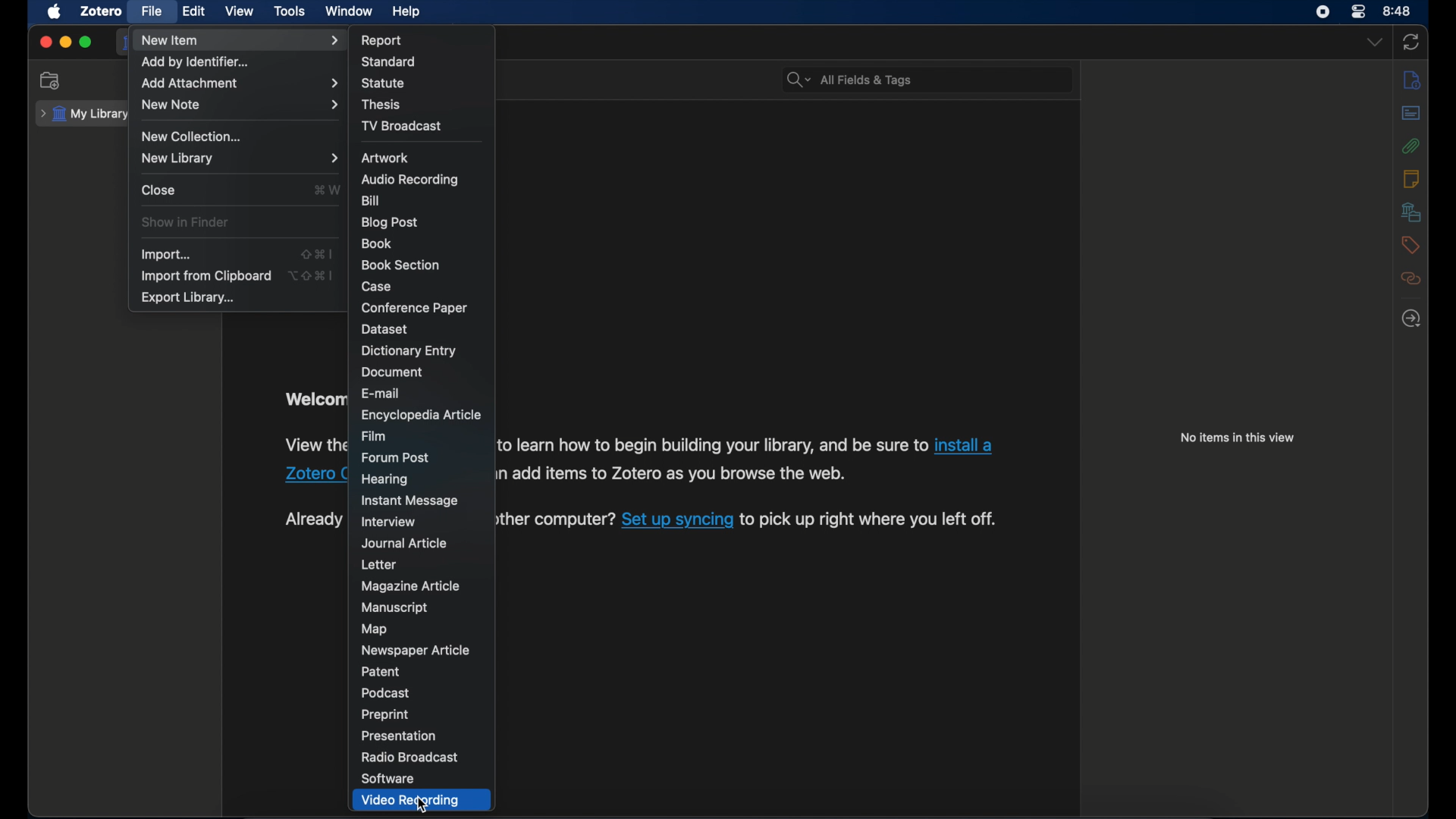 The width and height of the screenshot is (1456, 819). Describe the element at coordinates (376, 629) in the screenshot. I see `map` at that location.